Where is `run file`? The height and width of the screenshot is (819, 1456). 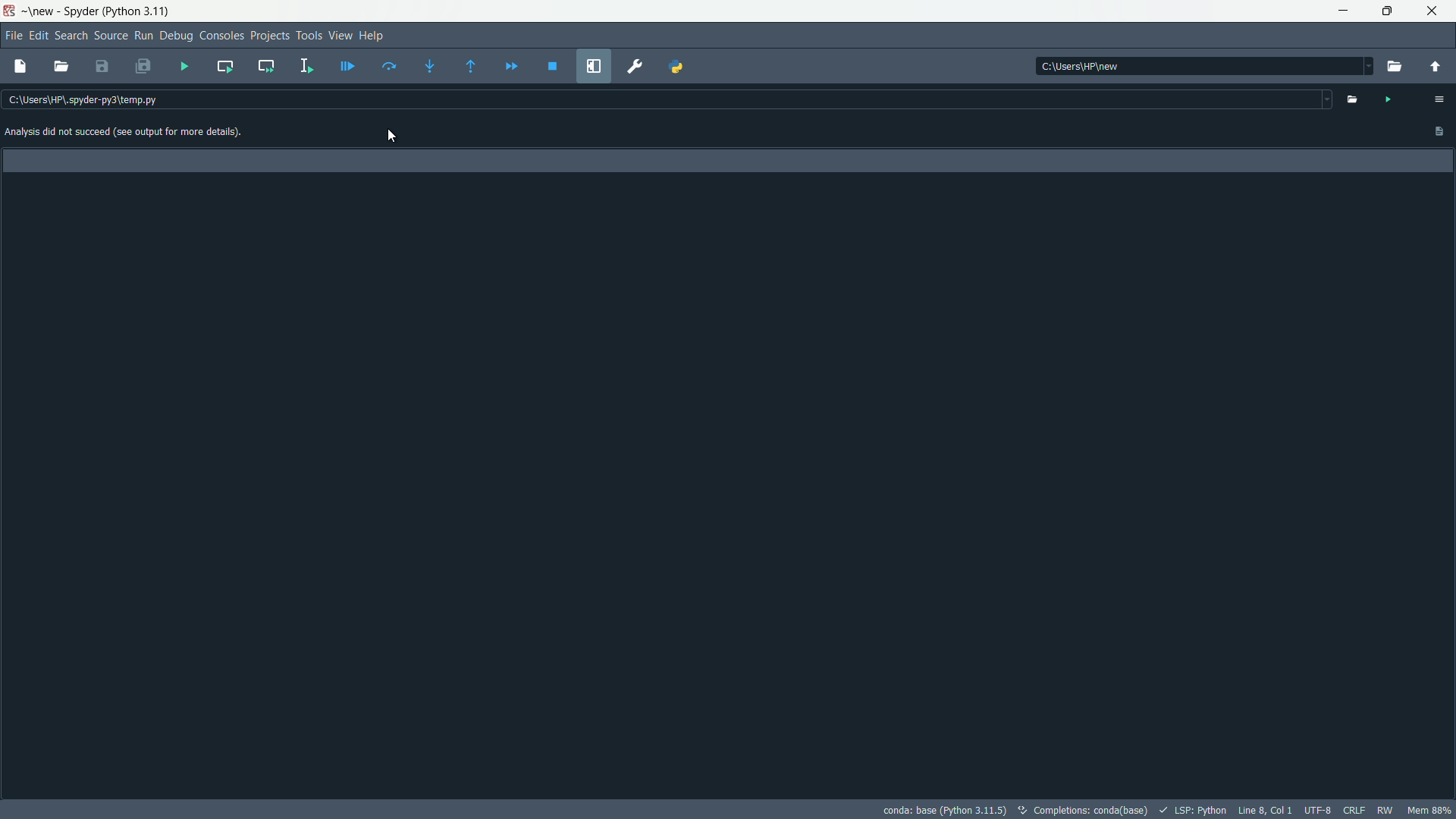 run file is located at coordinates (184, 66).